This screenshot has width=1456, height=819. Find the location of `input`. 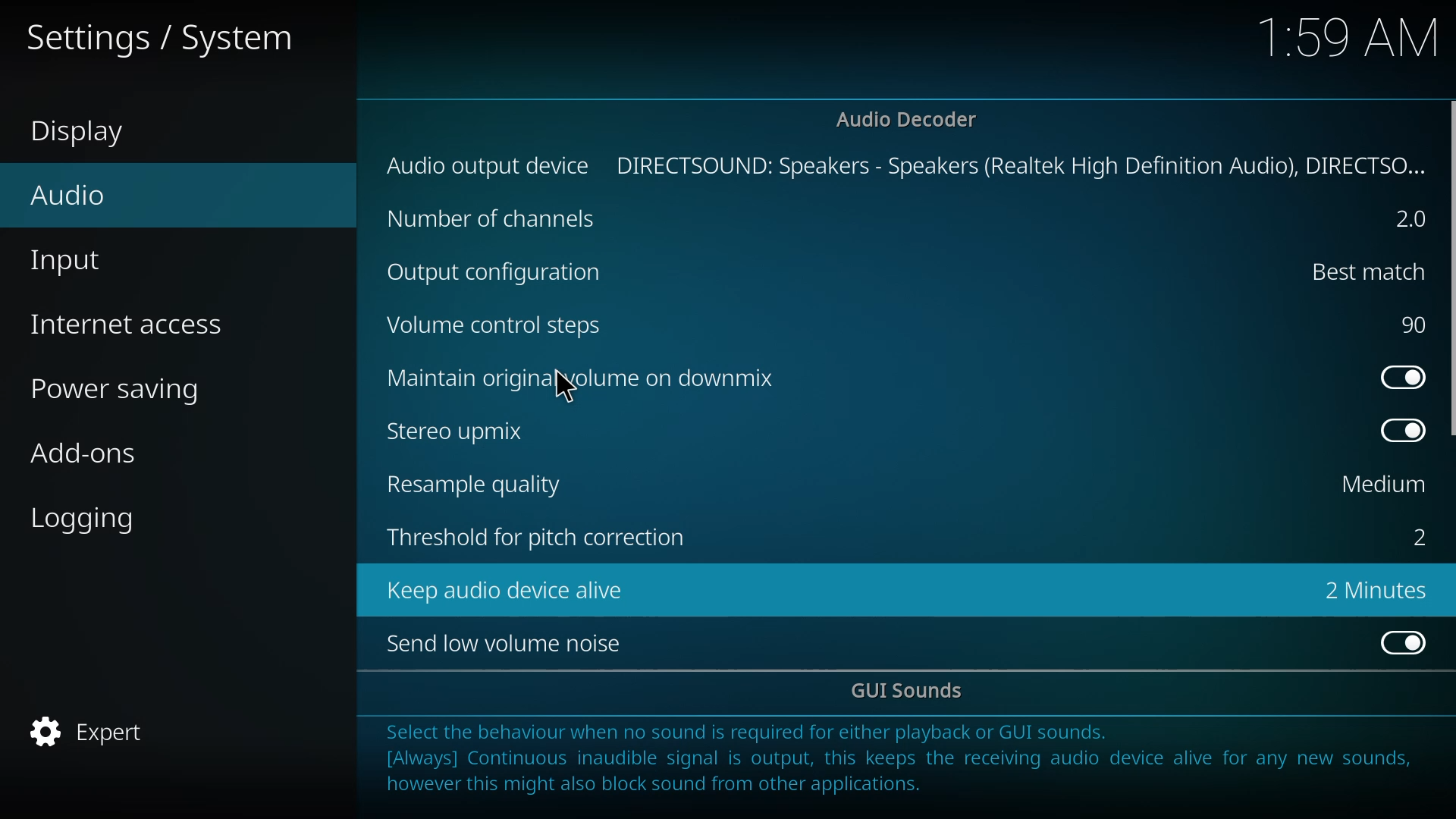

input is located at coordinates (70, 262).